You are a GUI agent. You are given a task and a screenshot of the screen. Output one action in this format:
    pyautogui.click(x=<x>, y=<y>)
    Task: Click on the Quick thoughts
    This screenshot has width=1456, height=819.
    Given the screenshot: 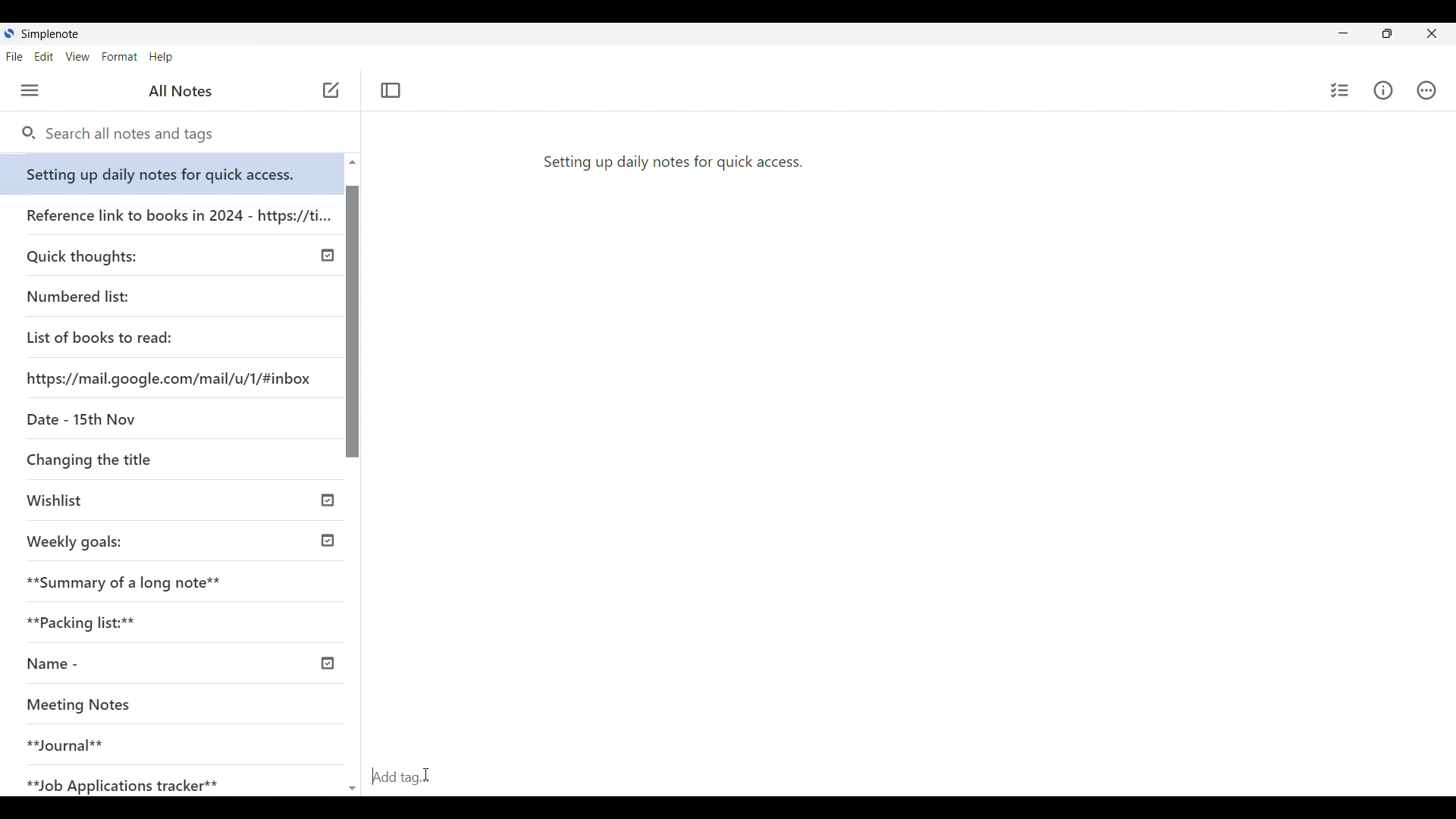 What is the action you would take?
    pyautogui.click(x=124, y=254)
    